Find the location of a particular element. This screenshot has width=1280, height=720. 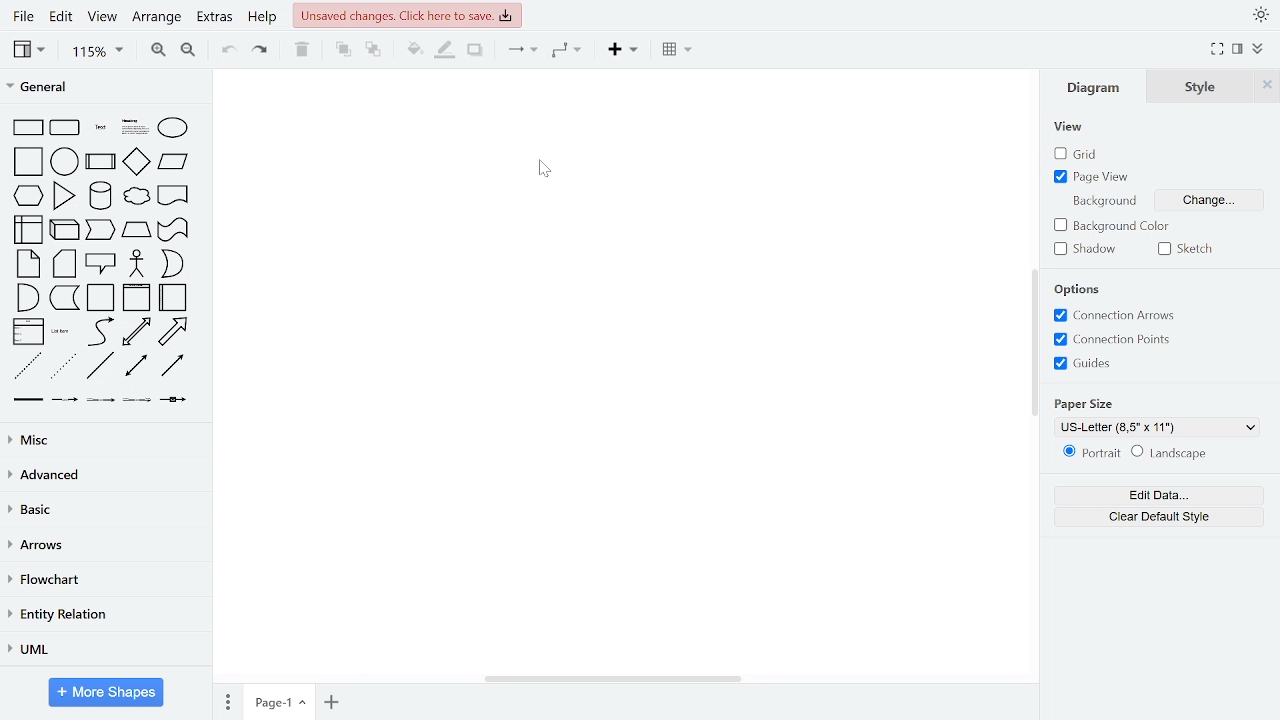

bidirectional arrow is located at coordinates (137, 333).